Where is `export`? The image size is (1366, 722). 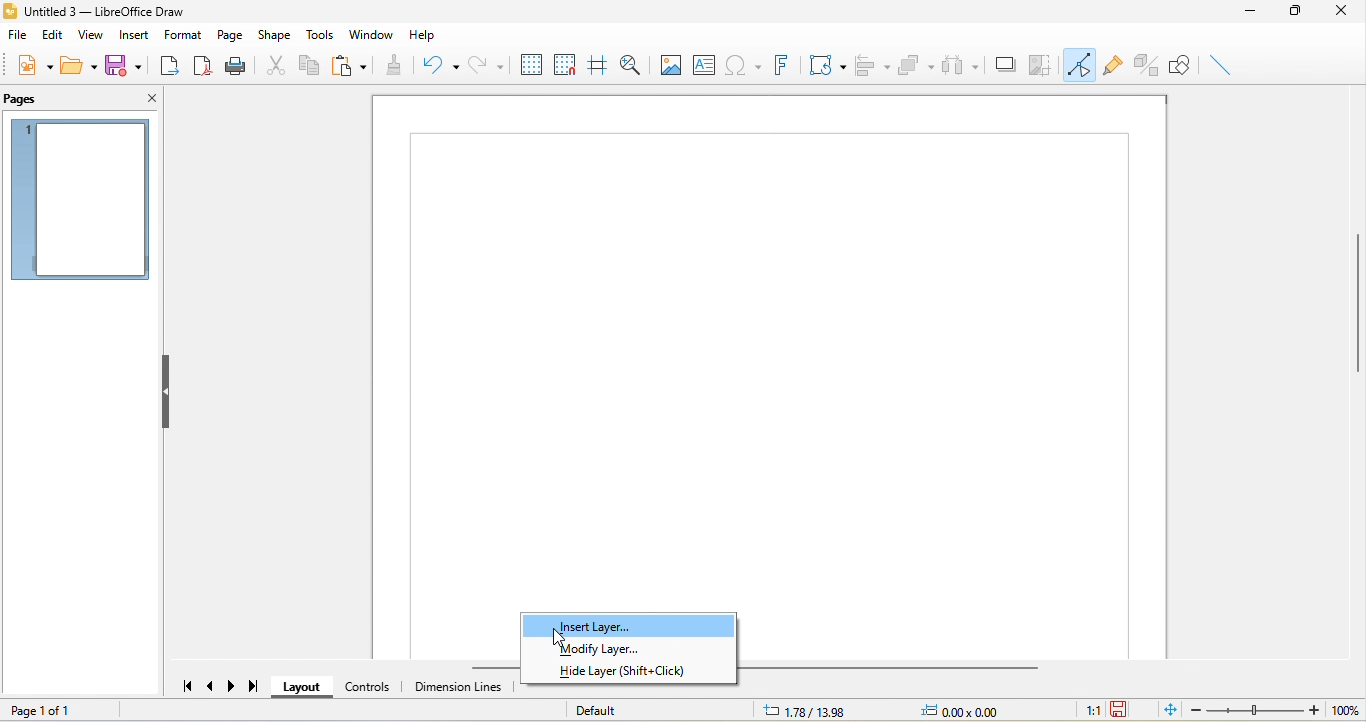
export is located at coordinates (171, 66).